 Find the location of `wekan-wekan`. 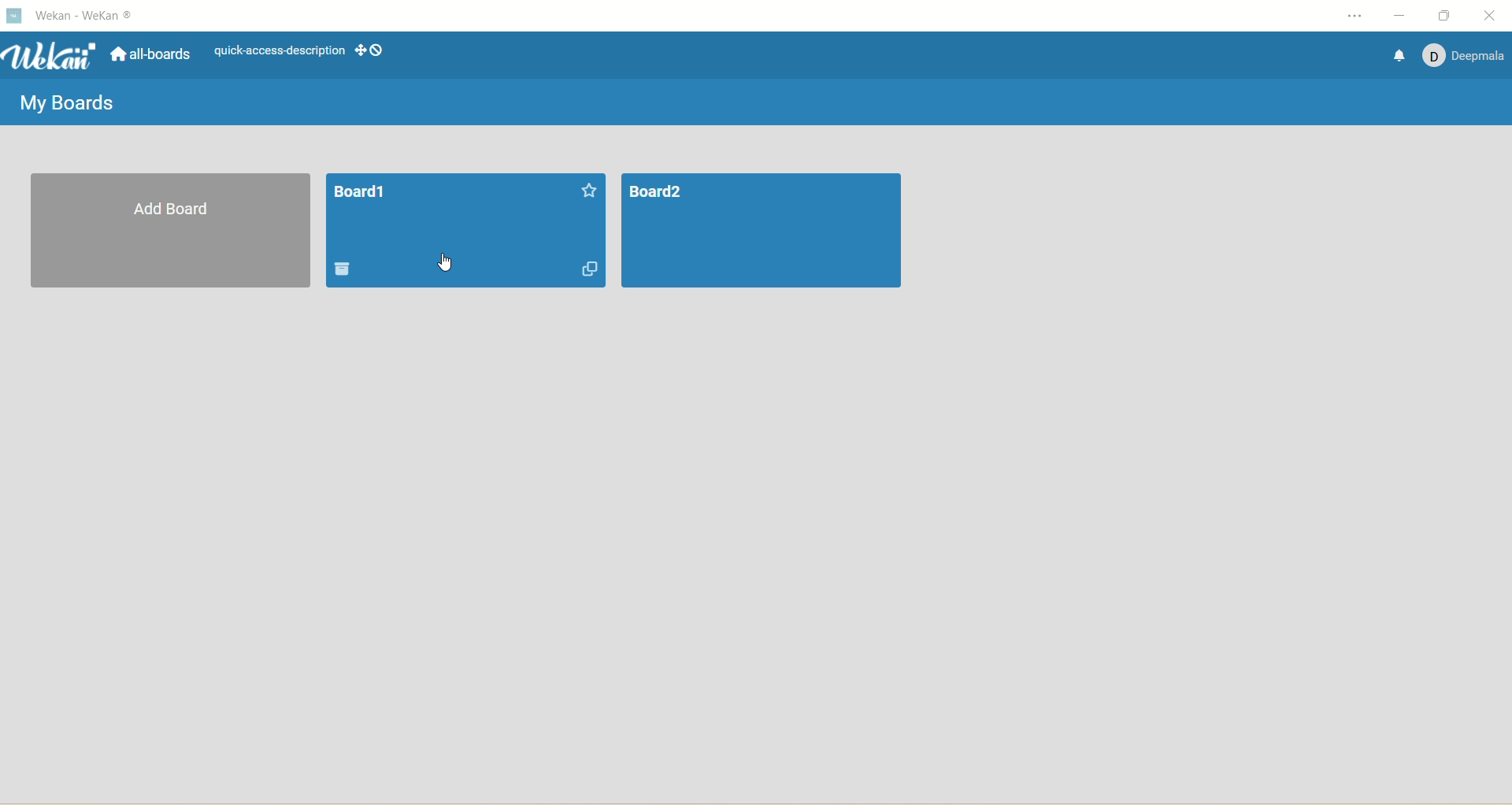

wekan-wekan is located at coordinates (90, 15).